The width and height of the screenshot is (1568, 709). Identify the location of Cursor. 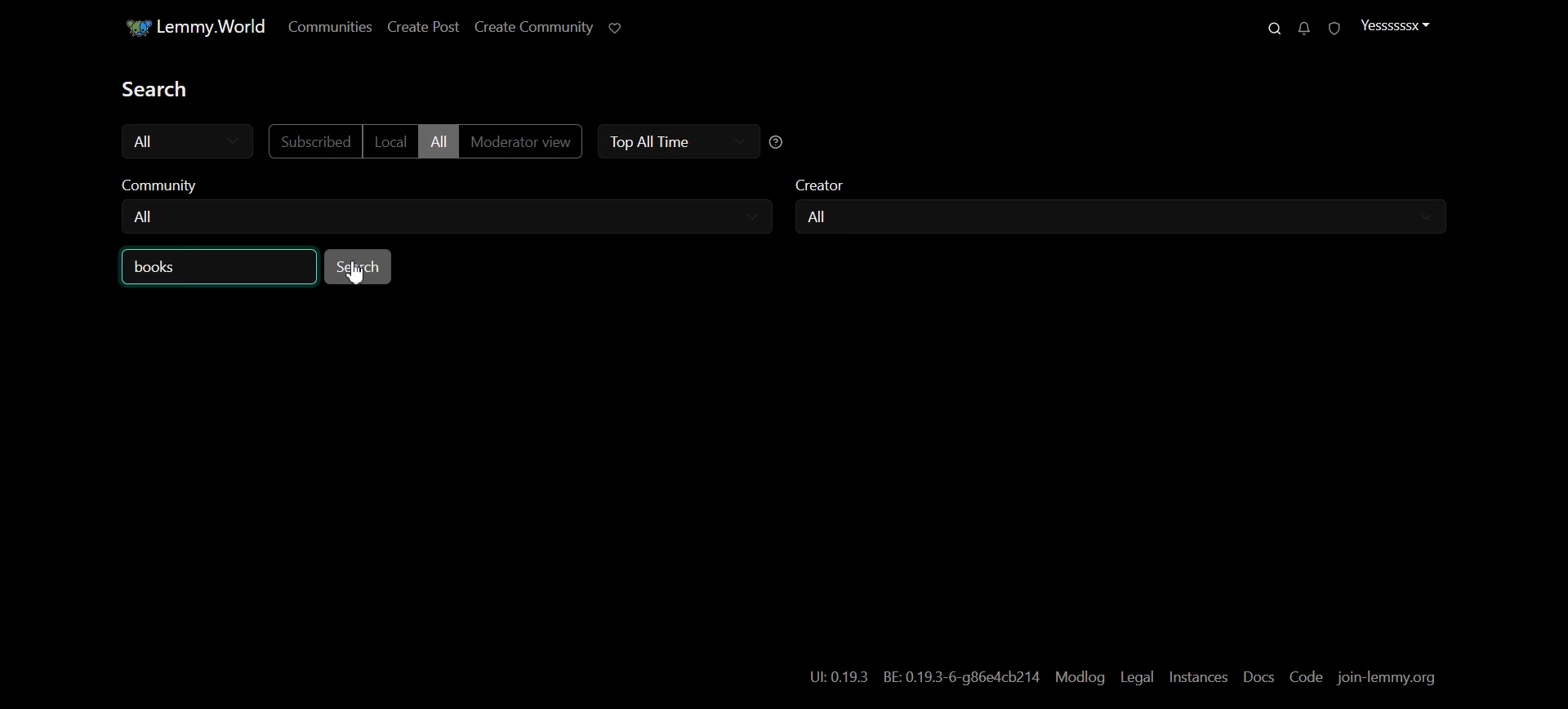
(359, 273).